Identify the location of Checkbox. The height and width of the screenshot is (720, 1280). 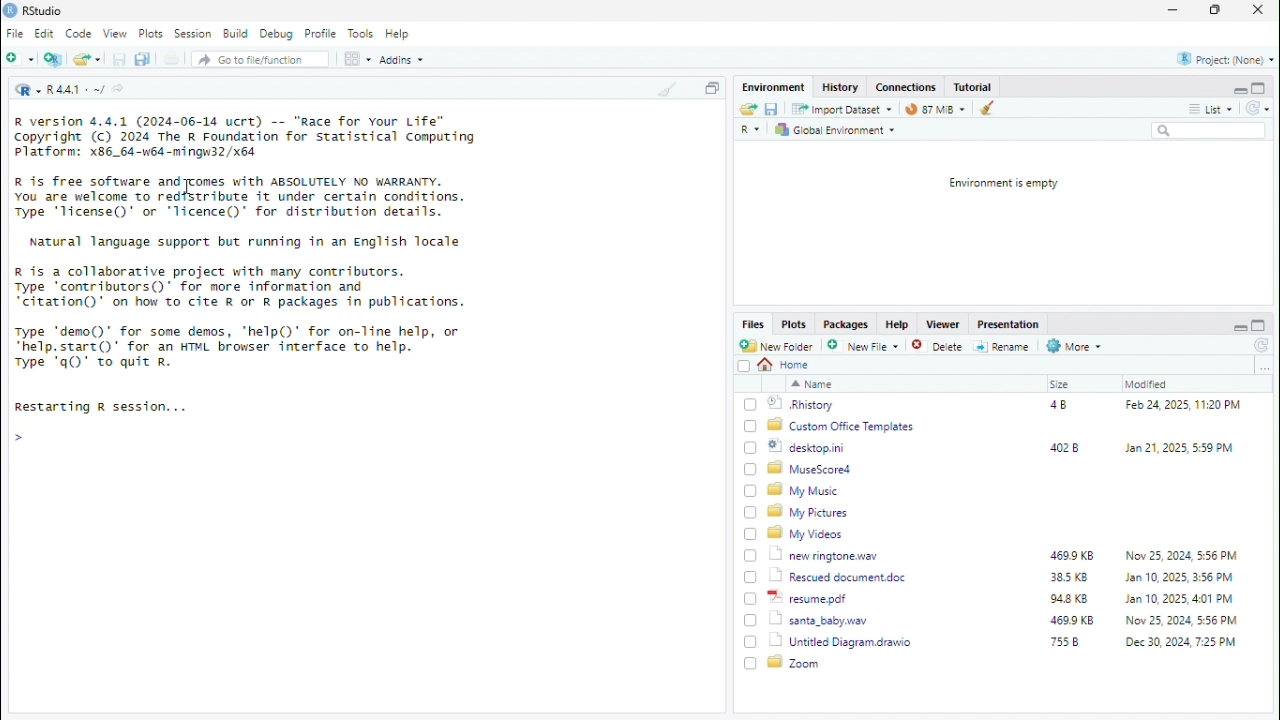
(751, 404).